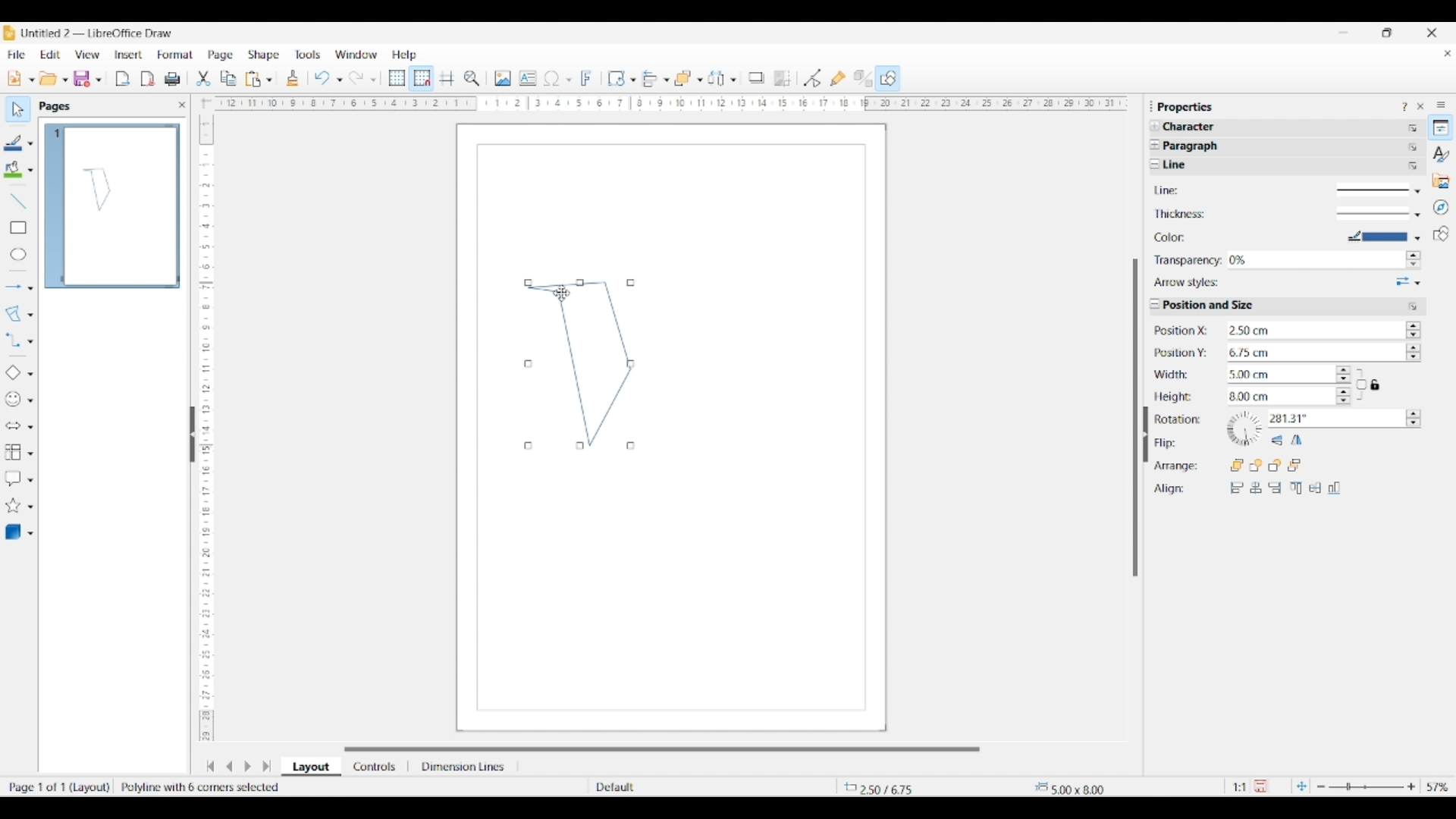  Describe the element at coordinates (1414, 306) in the screenshot. I see `More options` at that location.